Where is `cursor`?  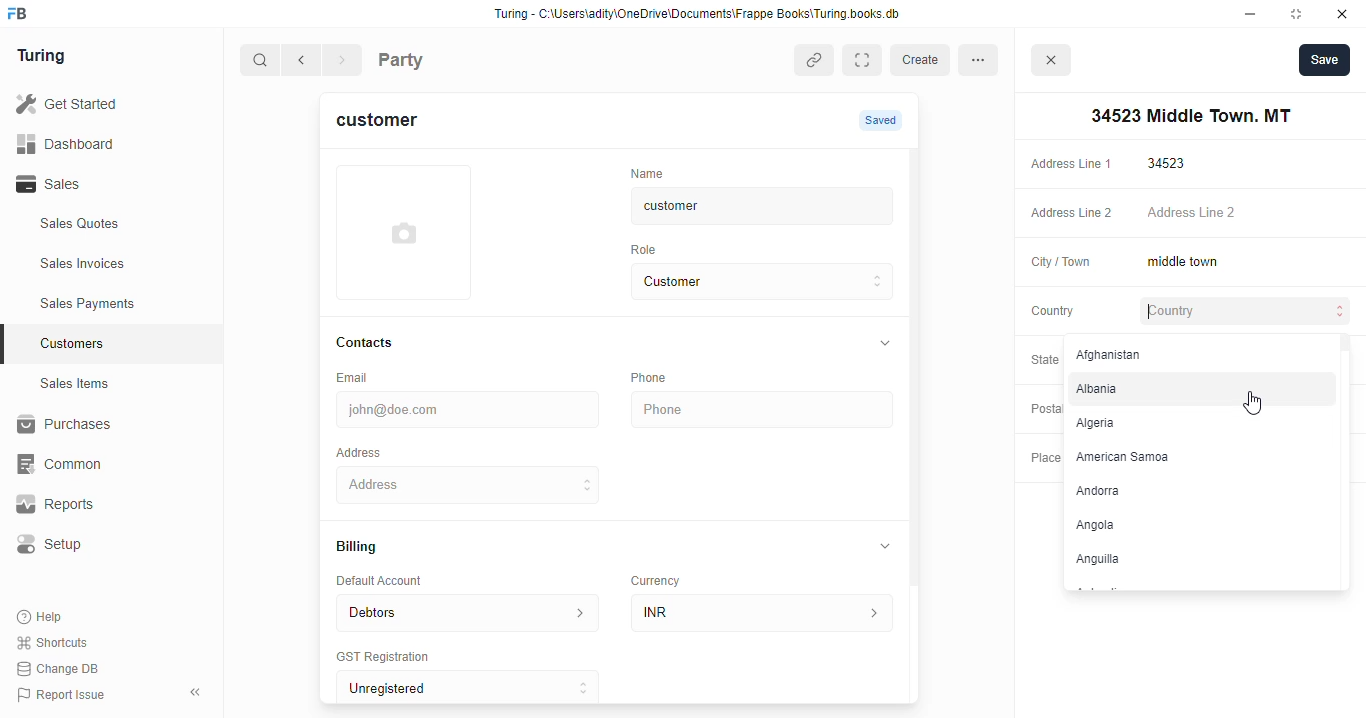
cursor is located at coordinates (1253, 403).